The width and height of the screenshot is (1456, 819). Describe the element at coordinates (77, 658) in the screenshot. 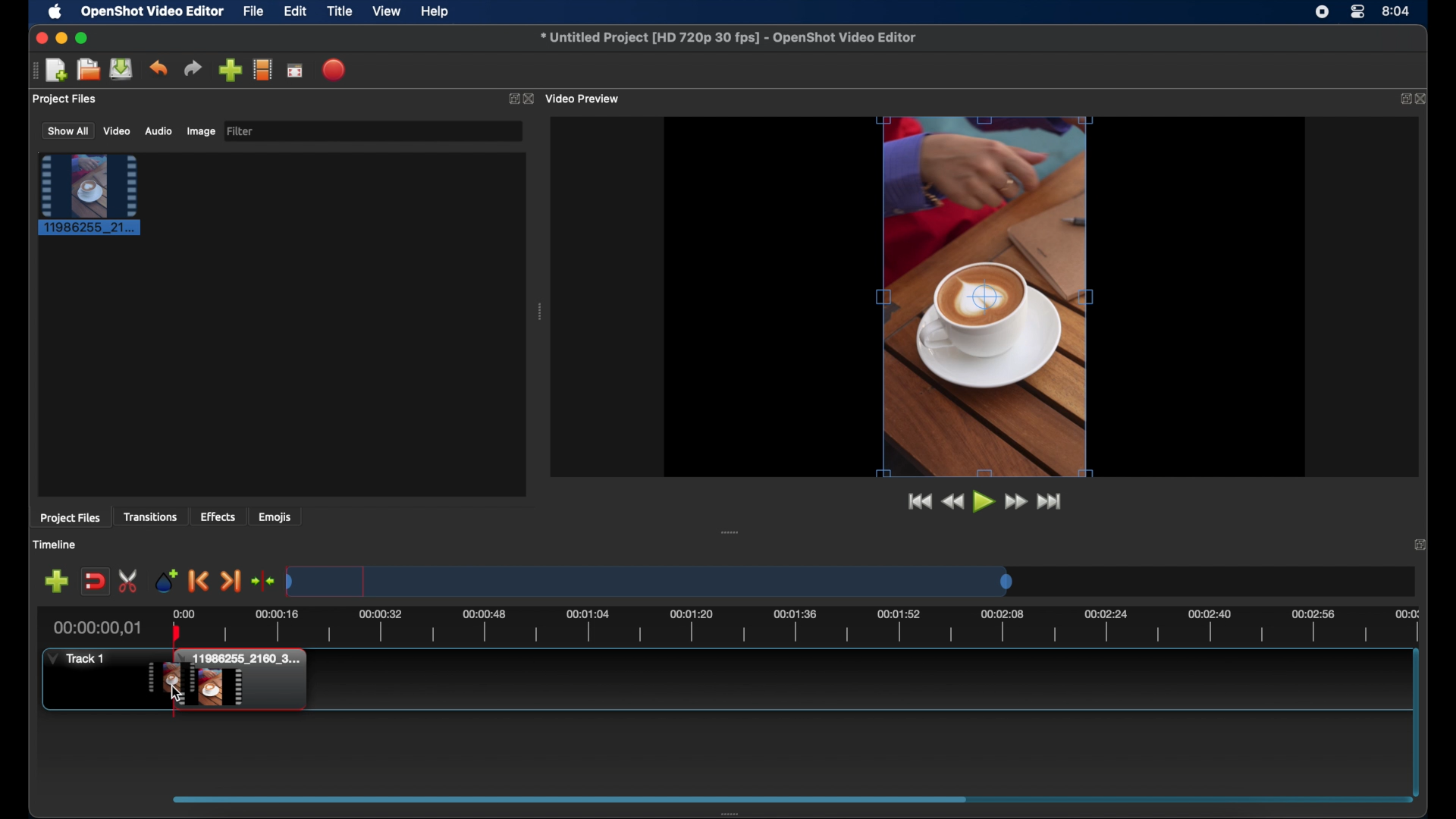

I see `track1` at that location.